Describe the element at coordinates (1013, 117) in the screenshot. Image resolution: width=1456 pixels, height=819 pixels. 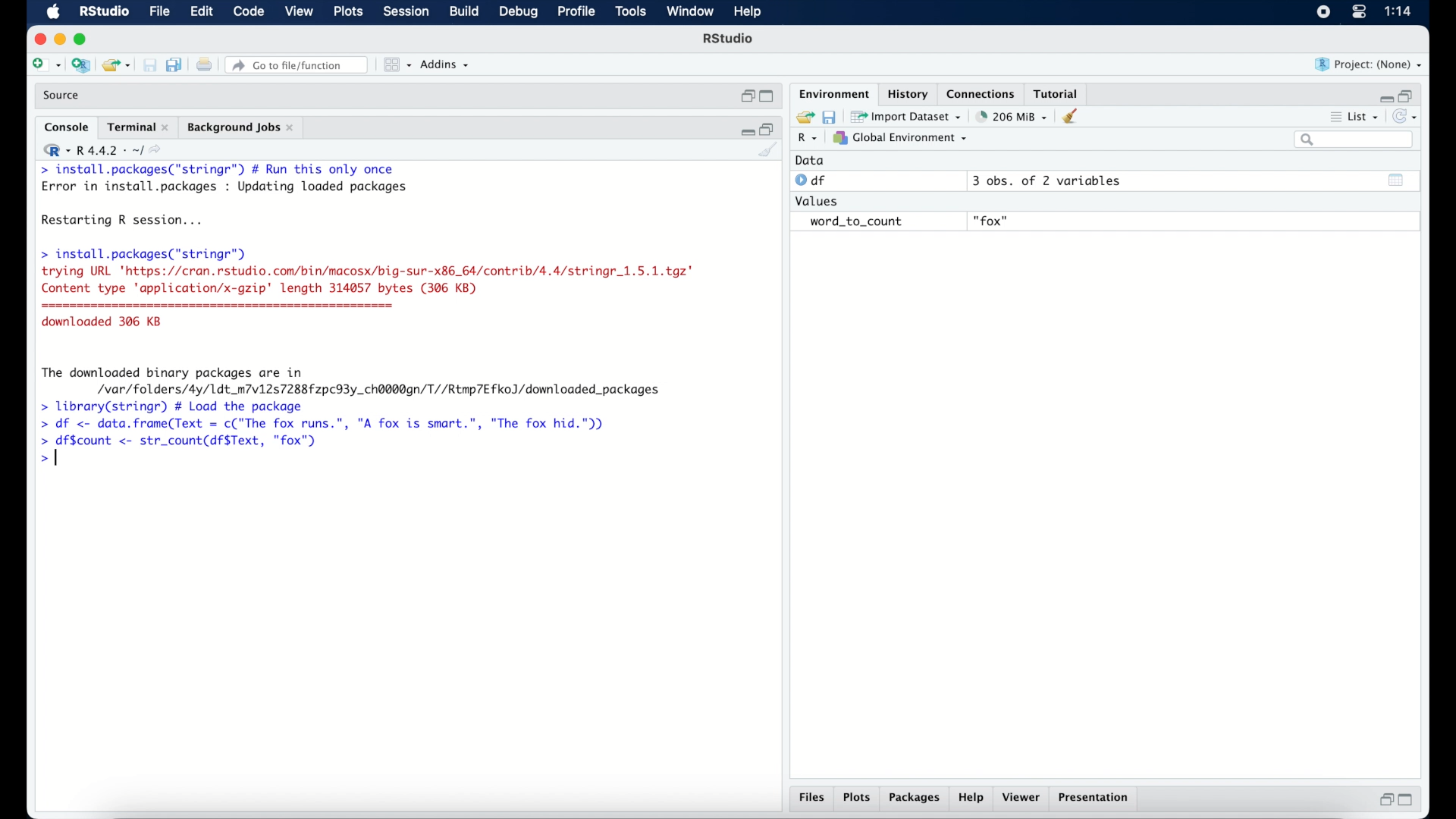
I see `203 MB` at that location.